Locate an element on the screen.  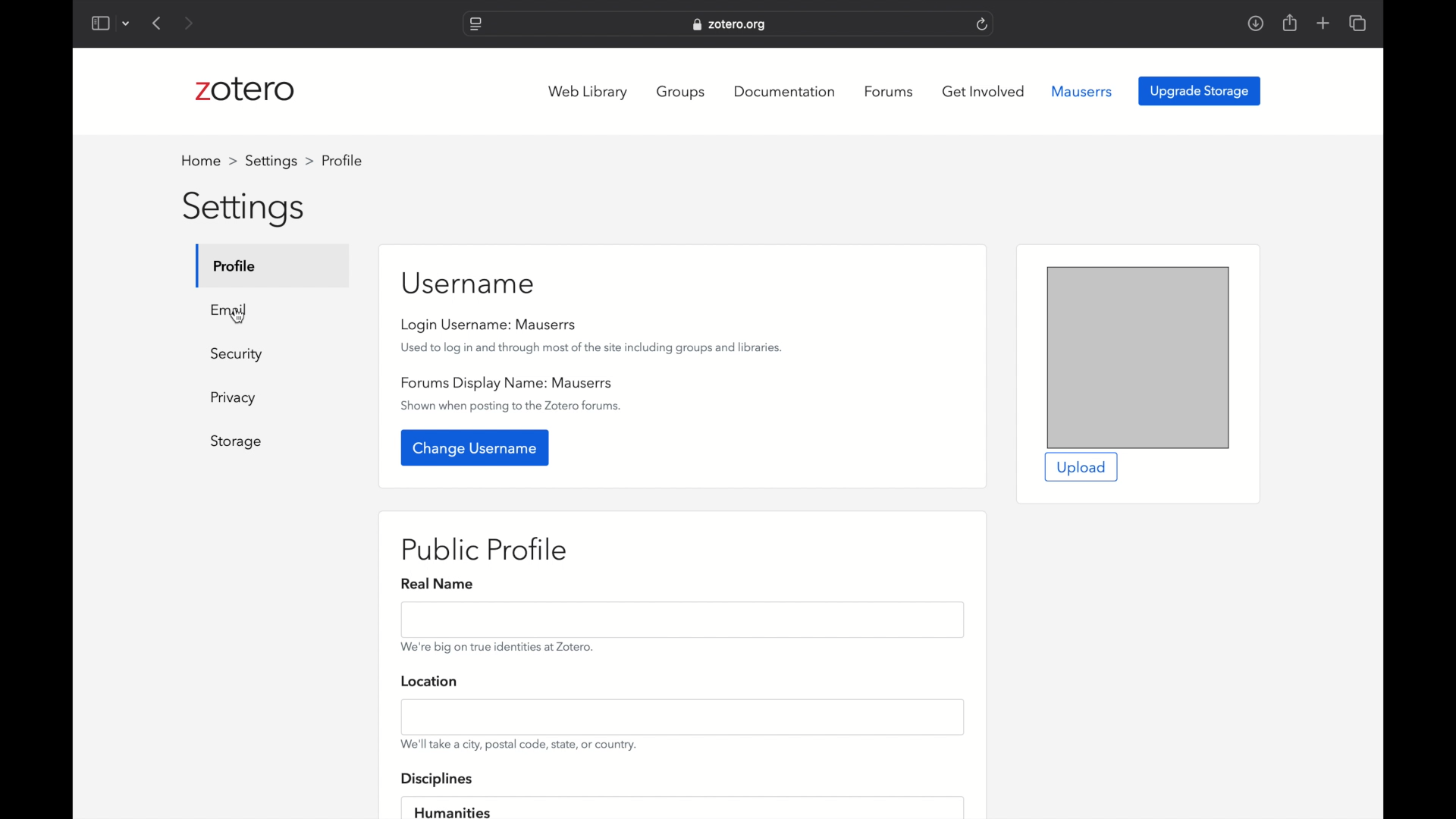
disciplines is located at coordinates (438, 780).